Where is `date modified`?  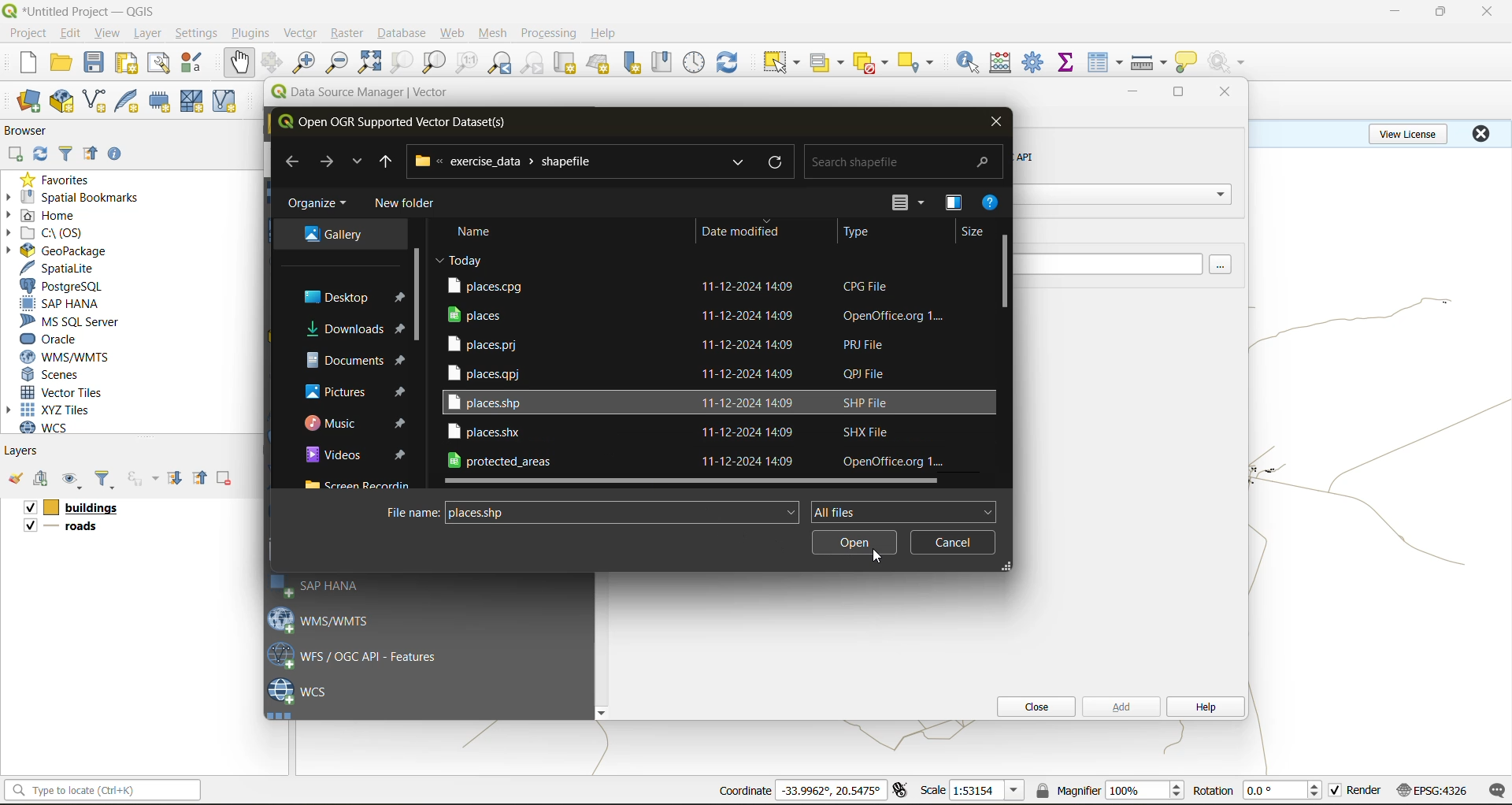 date modified is located at coordinates (740, 231).